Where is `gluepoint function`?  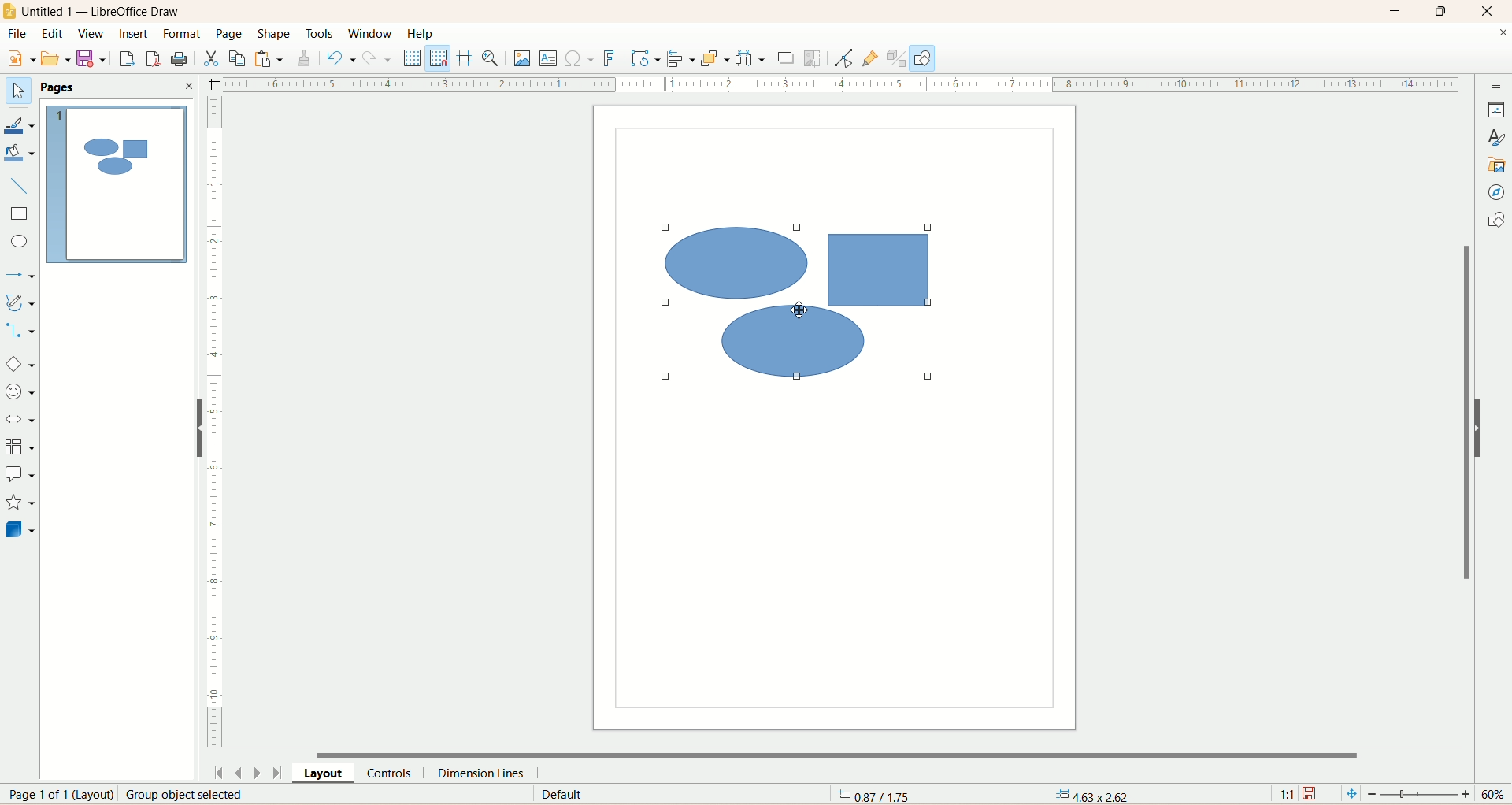 gluepoint function is located at coordinates (869, 59).